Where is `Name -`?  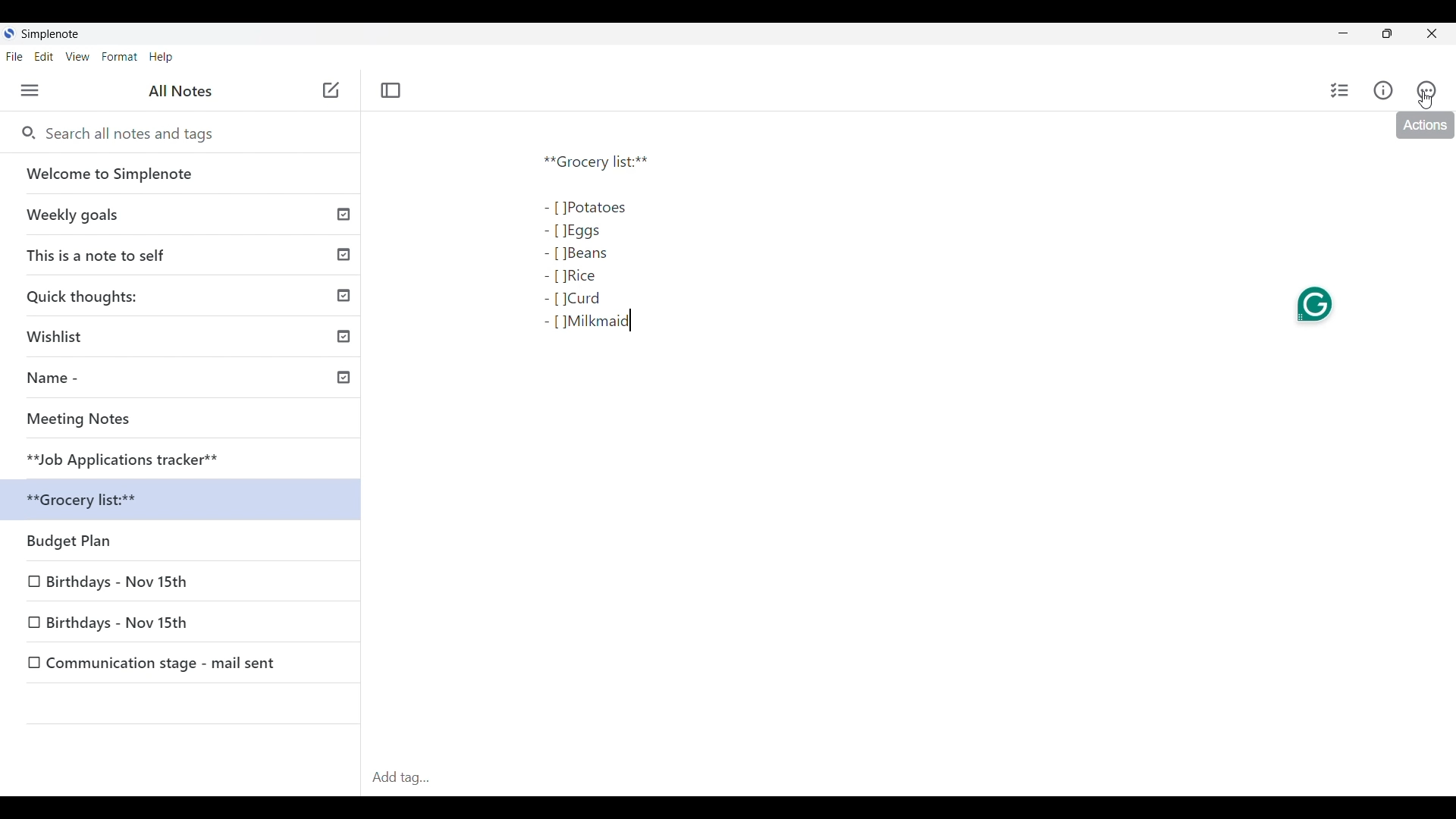 Name - is located at coordinates (187, 380).